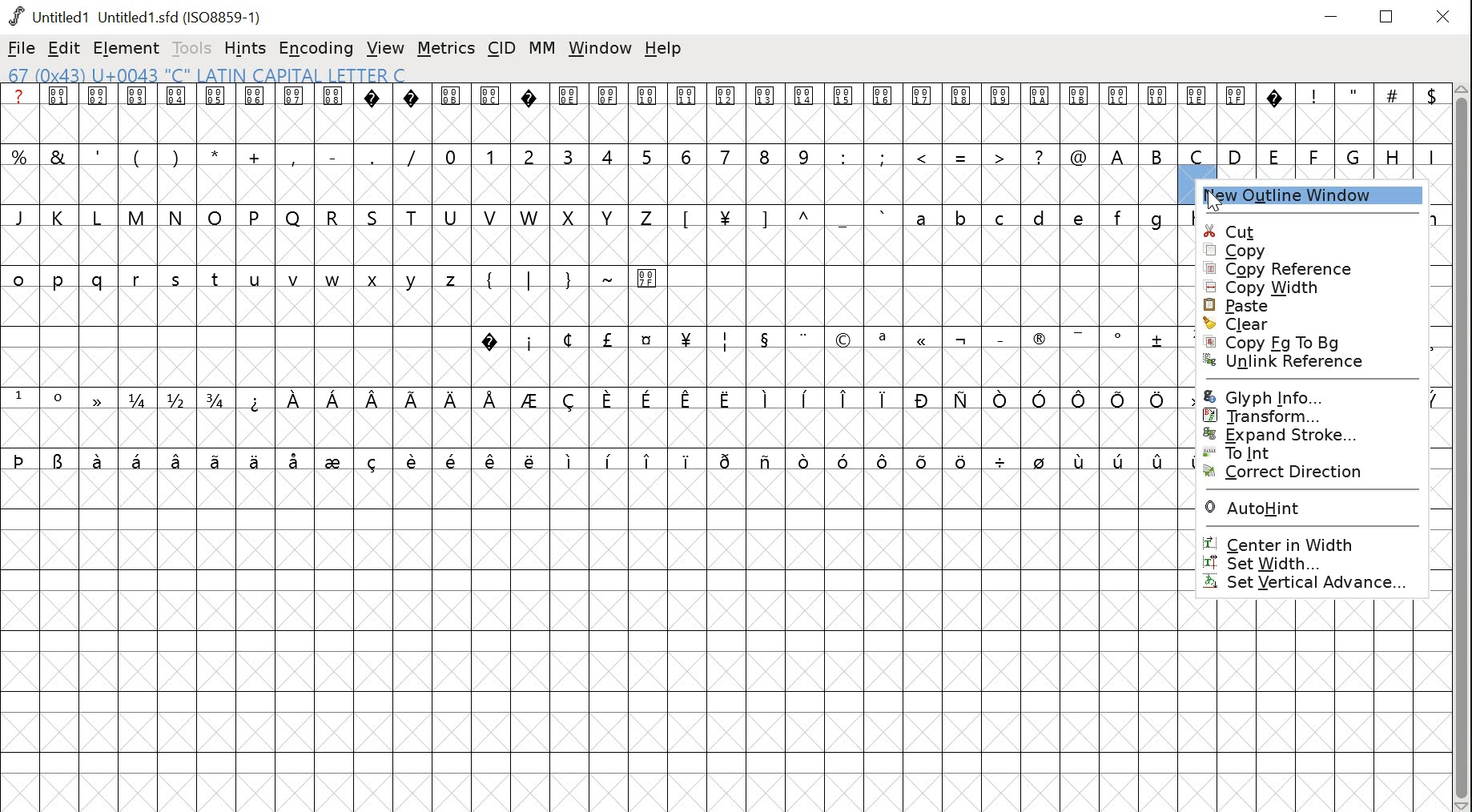  What do you see at coordinates (1309, 436) in the screenshot?
I see `expand stroke` at bounding box center [1309, 436].